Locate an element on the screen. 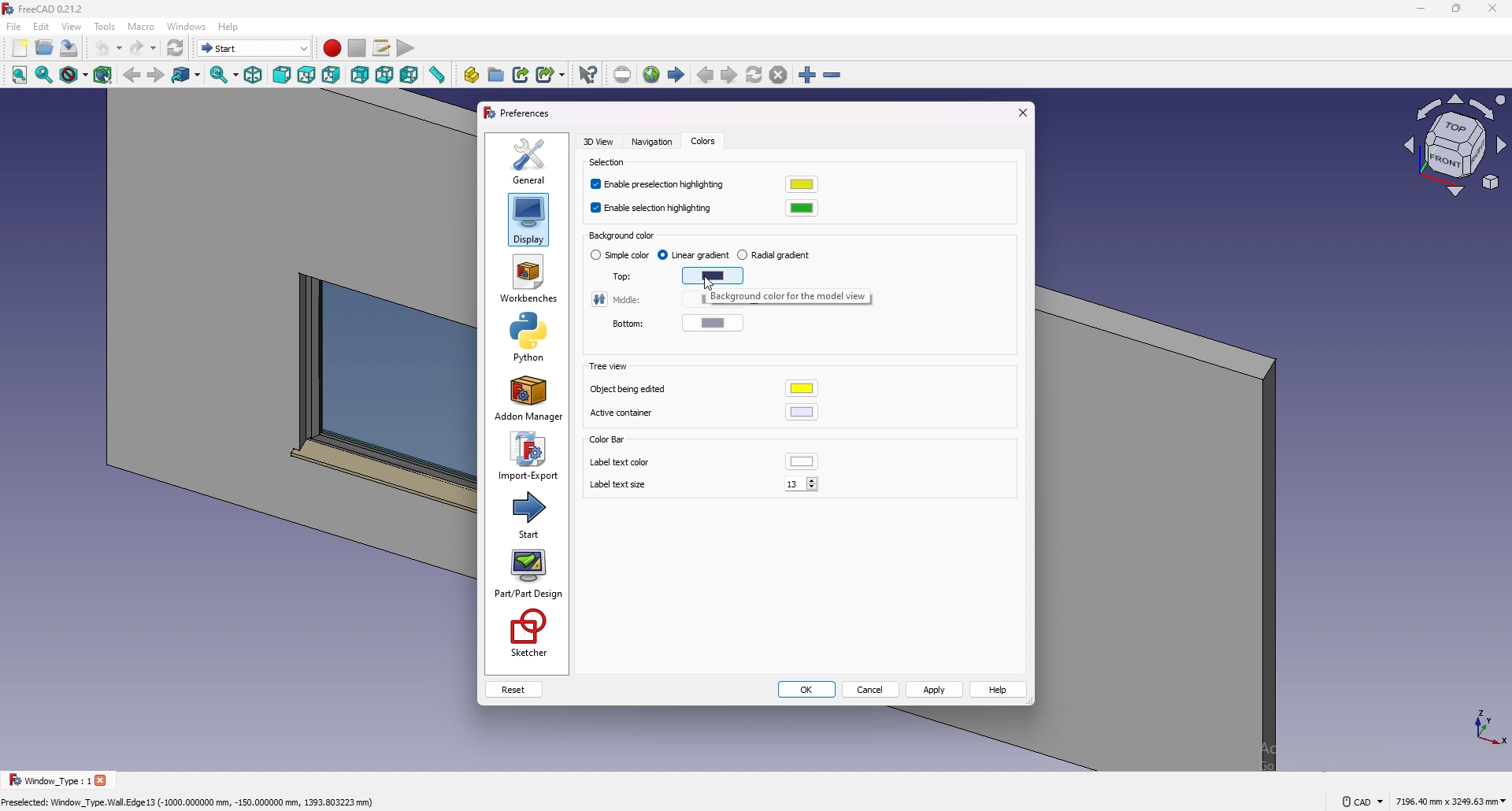 This screenshot has width=1512, height=811. previous page is located at coordinates (706, 76).